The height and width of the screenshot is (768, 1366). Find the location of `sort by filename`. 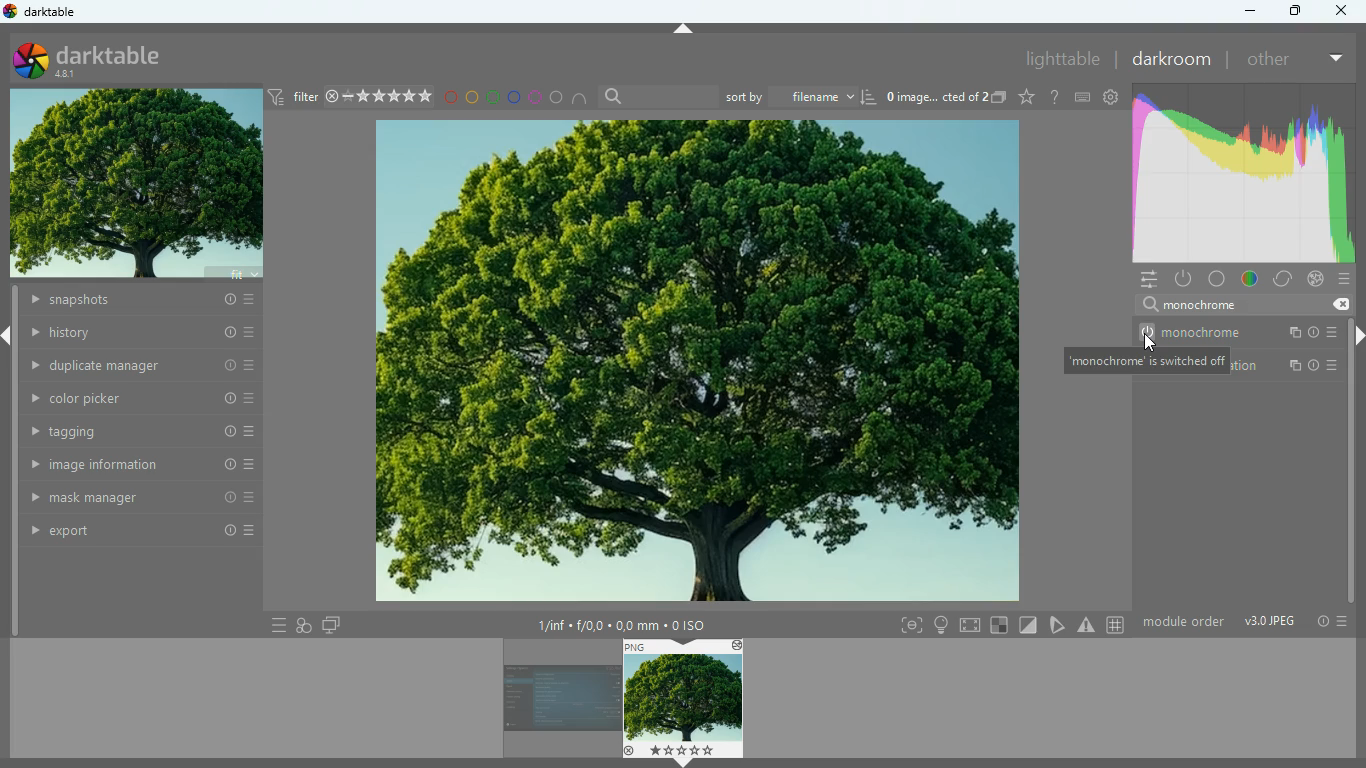

sort by filename is located at coordinates (801, 98).